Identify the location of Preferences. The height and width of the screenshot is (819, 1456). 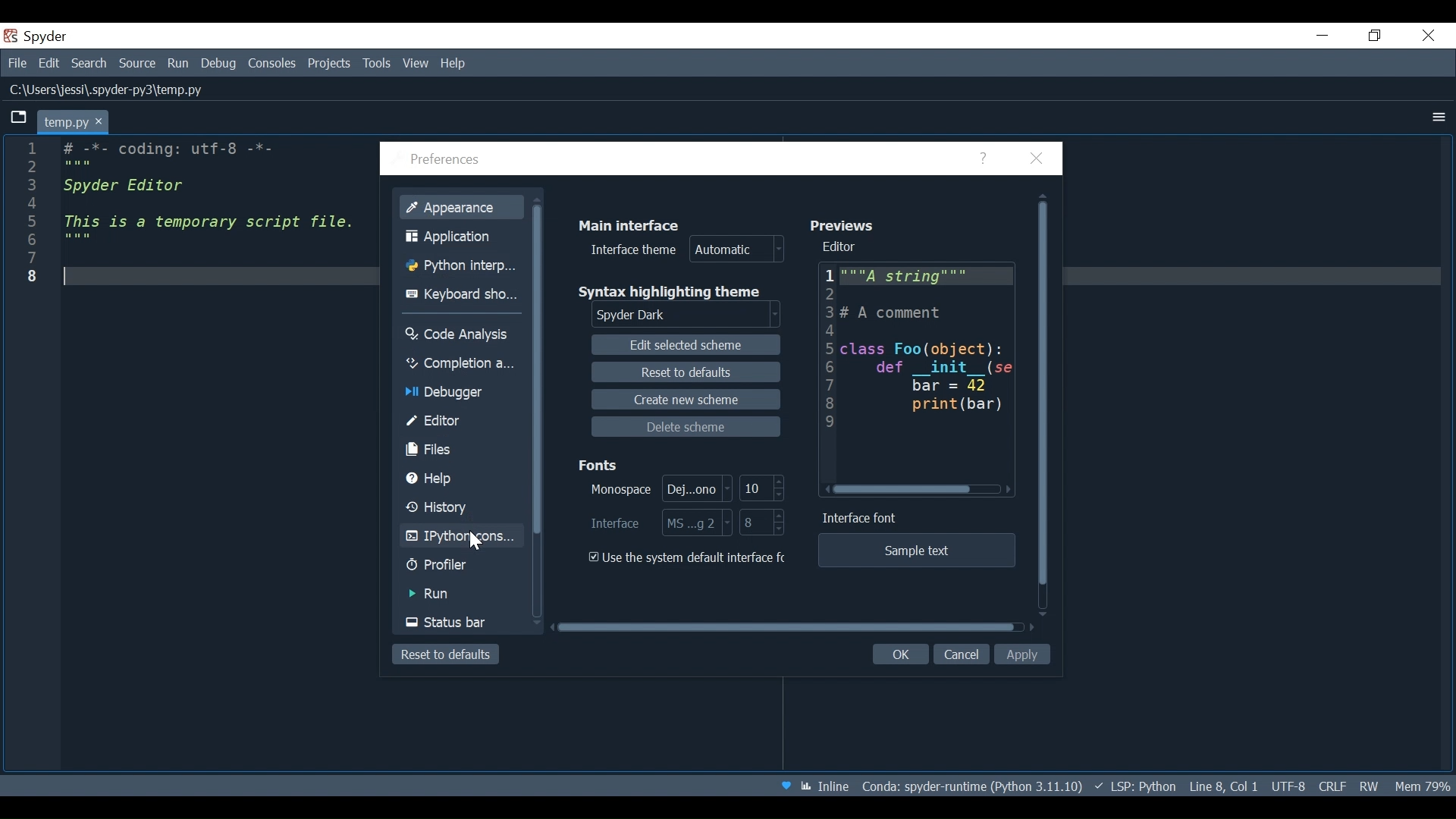
(441, 159).